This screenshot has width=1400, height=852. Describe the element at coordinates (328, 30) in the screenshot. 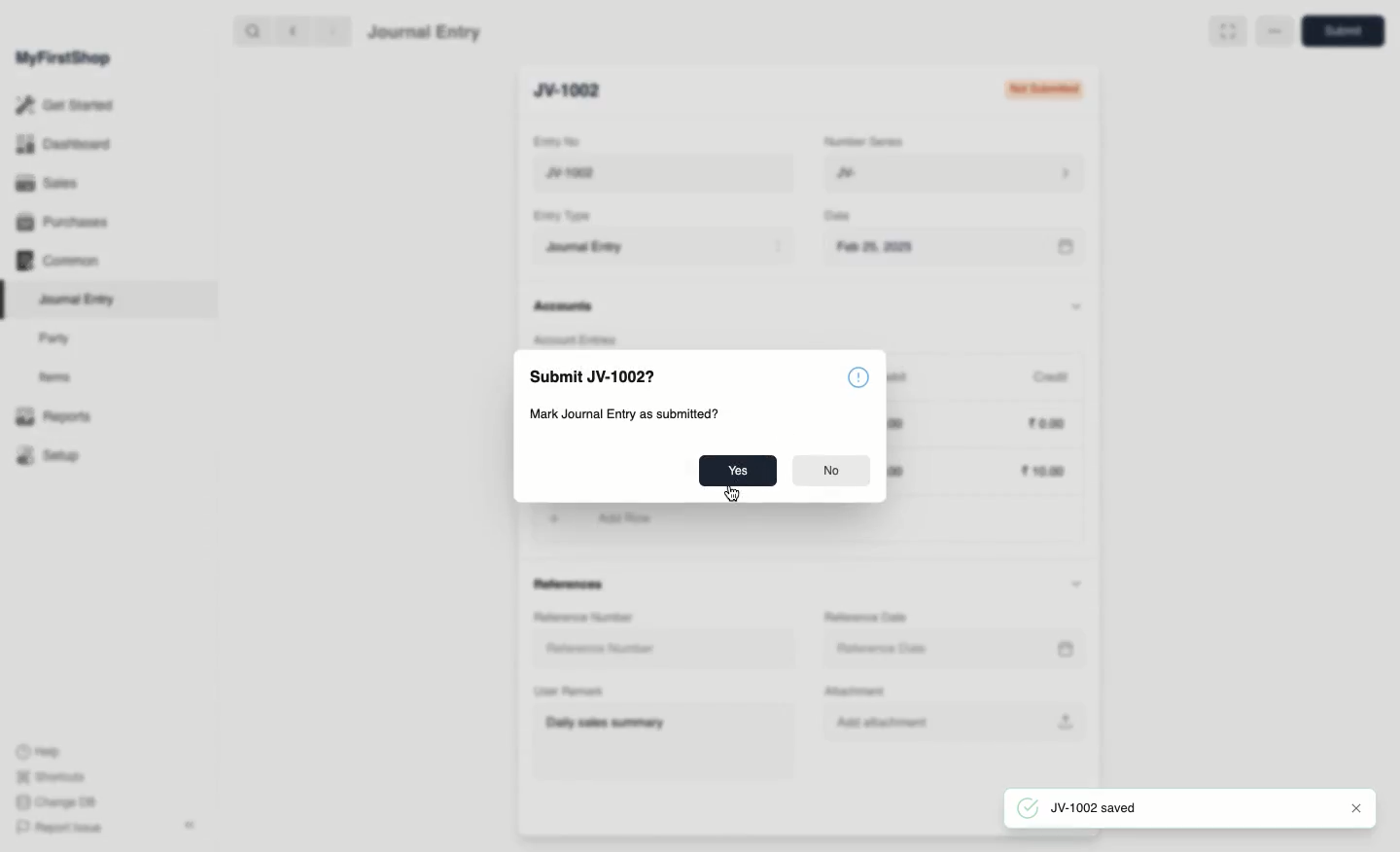

I see `forward >` at that location.